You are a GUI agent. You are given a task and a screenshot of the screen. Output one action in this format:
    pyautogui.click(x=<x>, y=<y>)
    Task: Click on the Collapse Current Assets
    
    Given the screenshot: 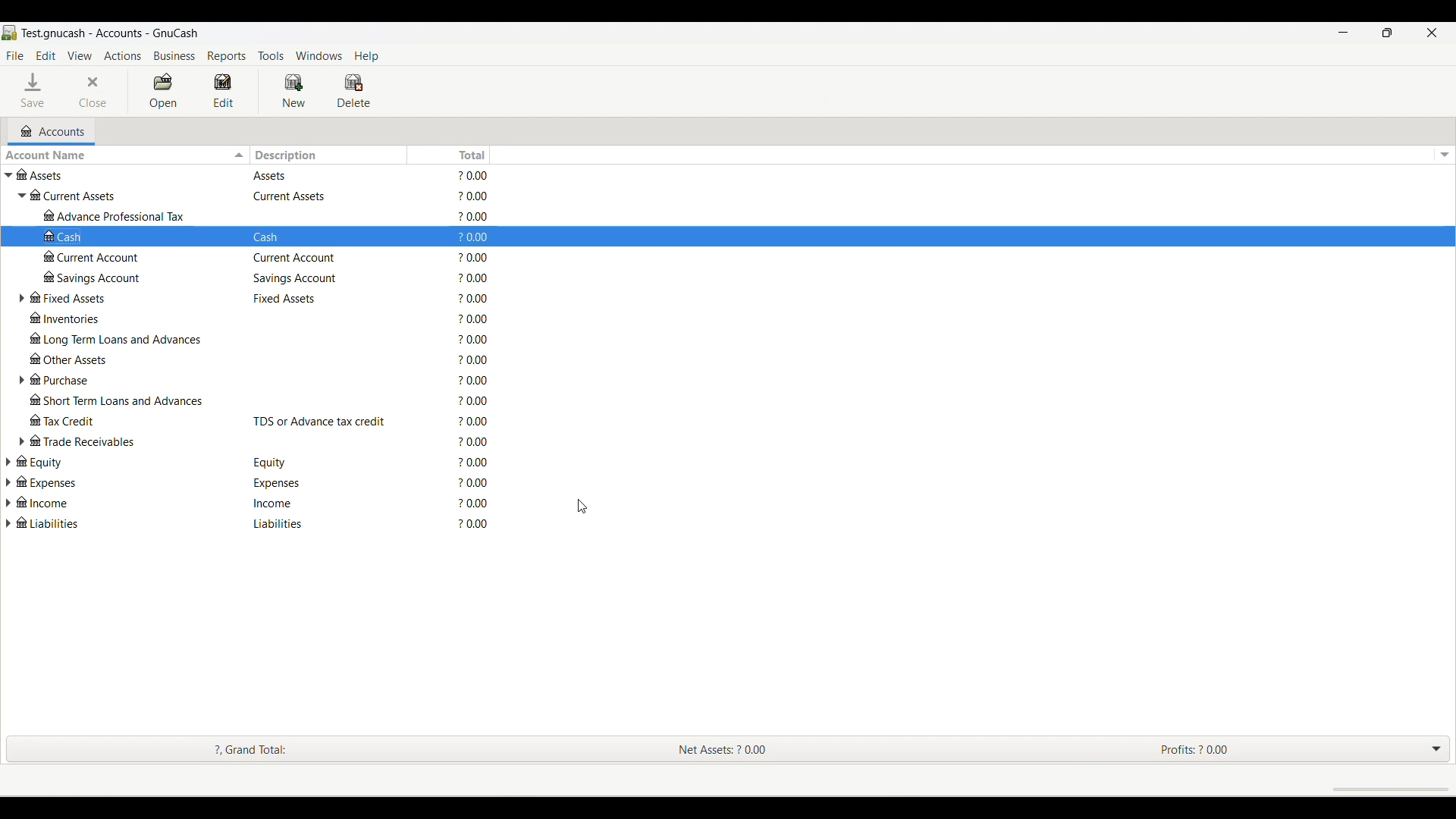 What is the action you would take?
    pyautogui.click(x=21, y=196)
    